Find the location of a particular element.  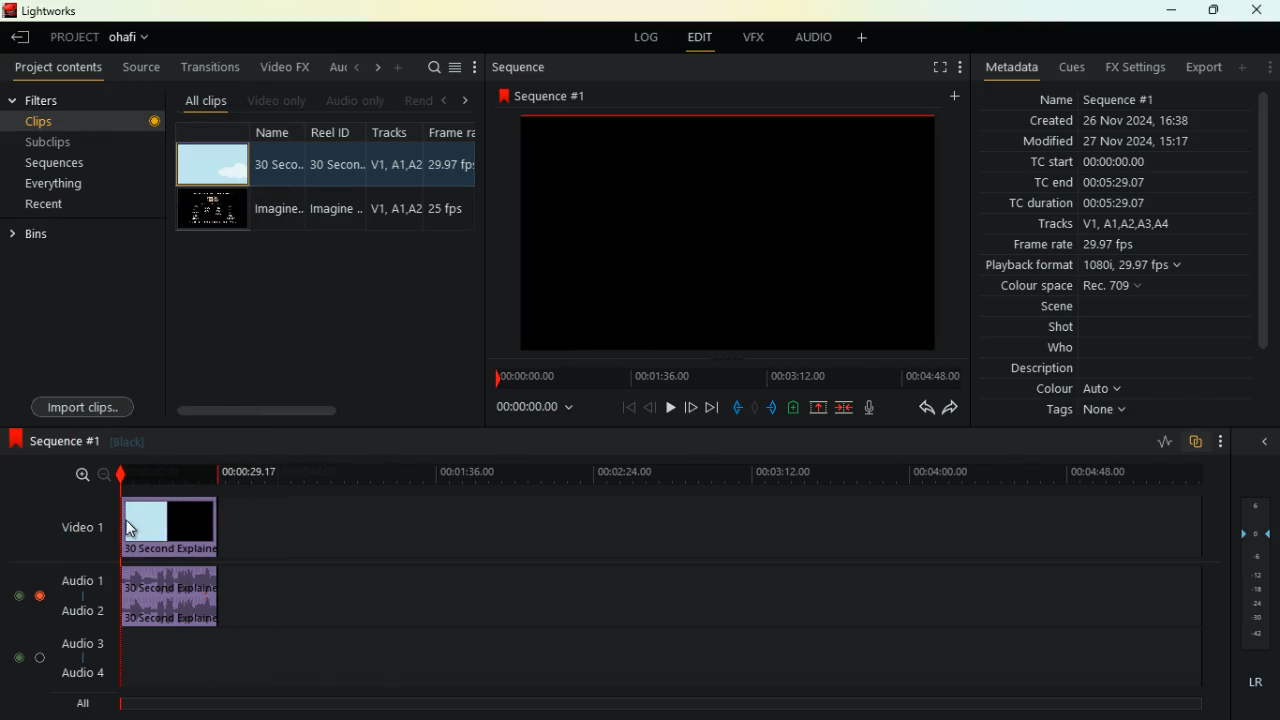

hold is located at coordinates (754, 406).